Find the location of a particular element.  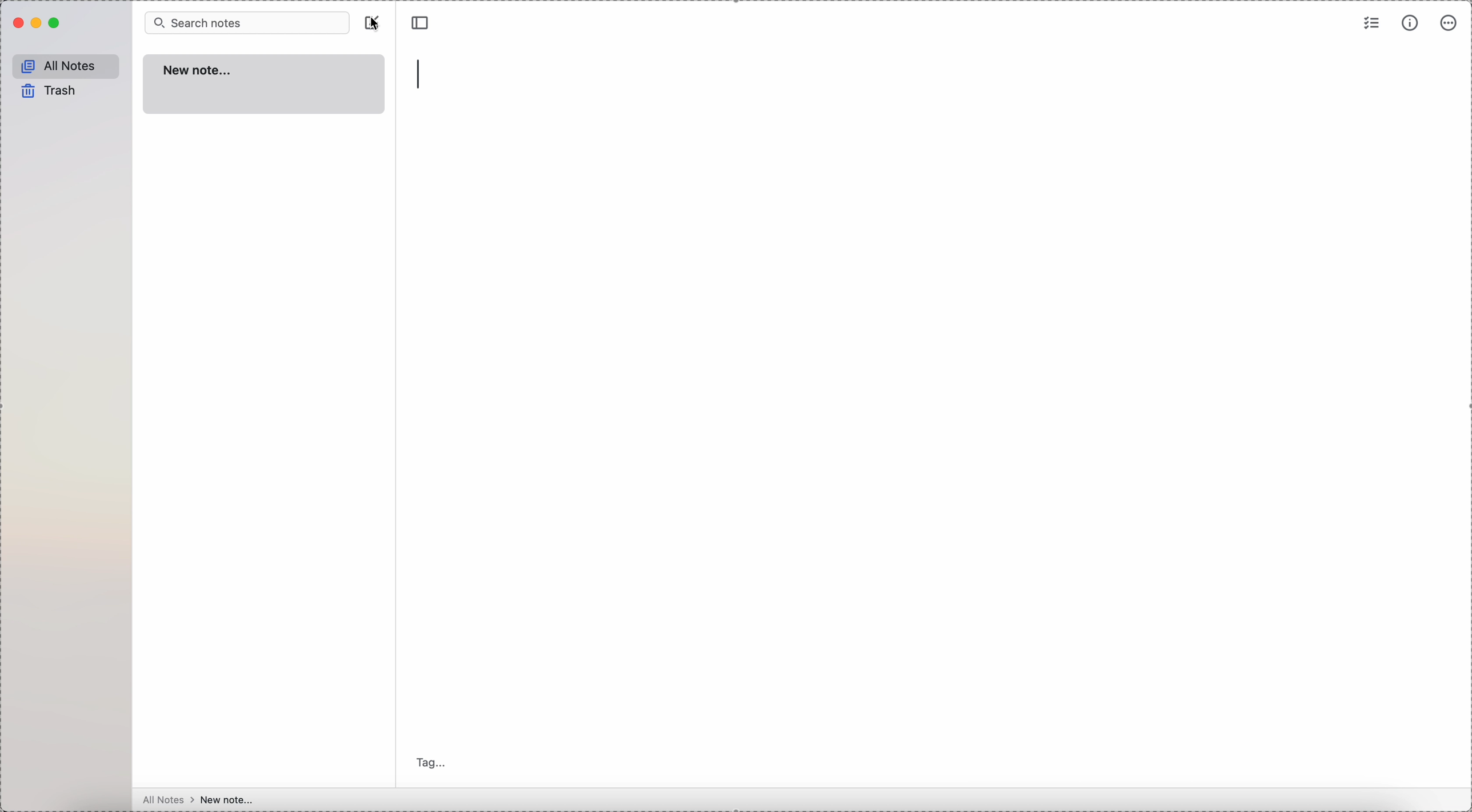

metrics is located at coordinates (1411, 22).